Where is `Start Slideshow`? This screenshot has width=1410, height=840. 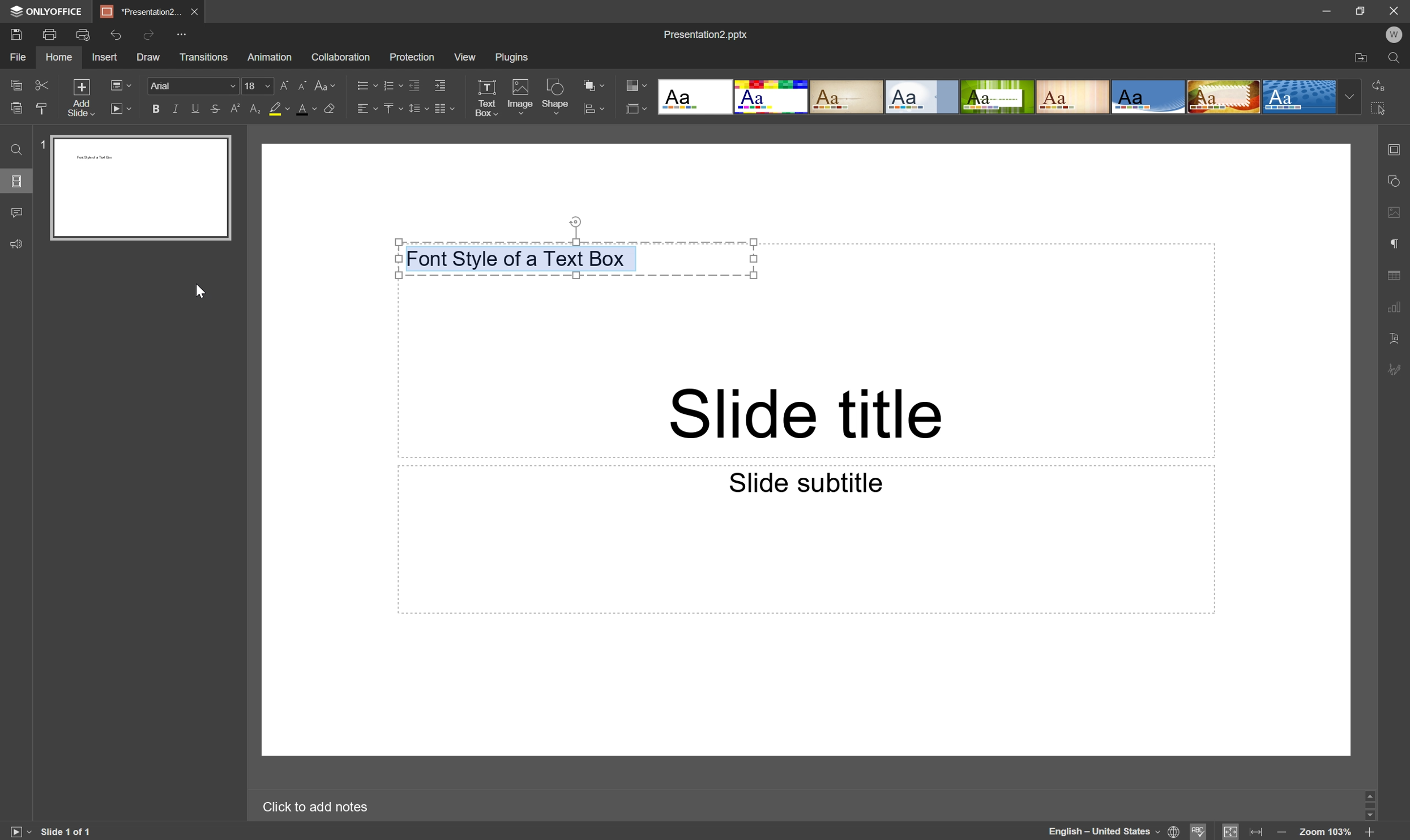 Start Slideshow is located at coordinates (19, 832).